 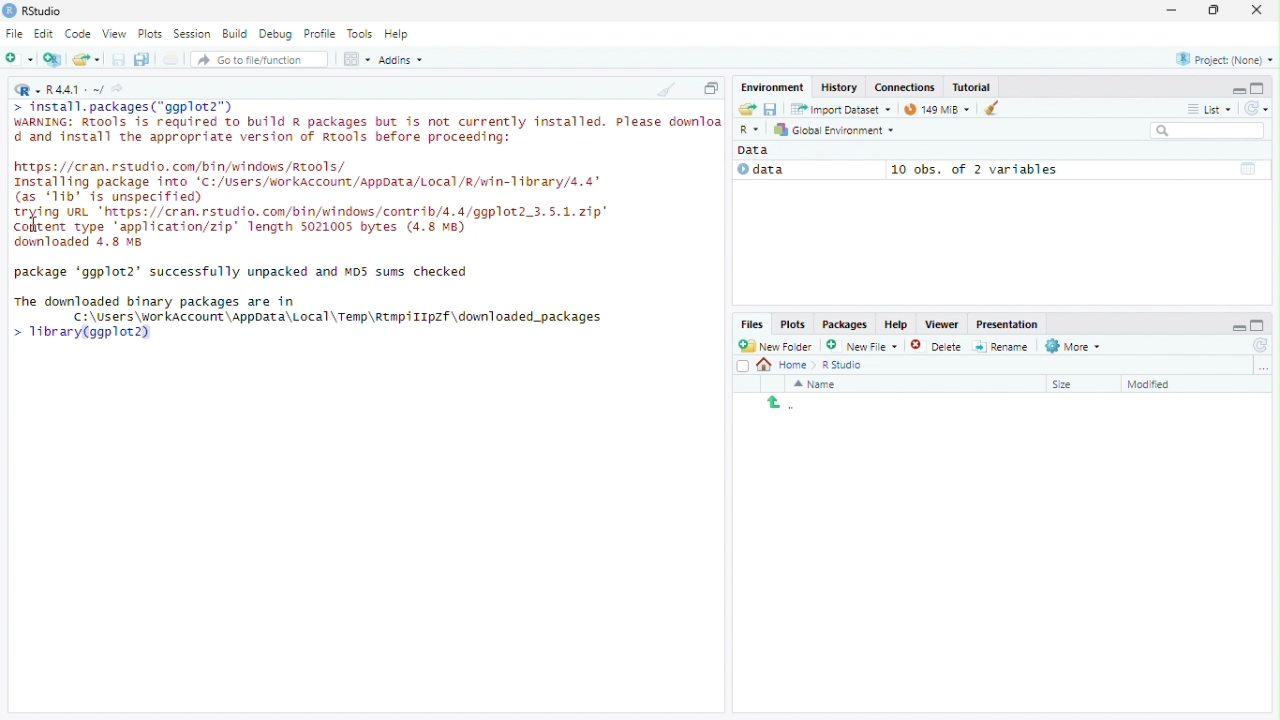 What do you see at coordinates (845, 324) in the screenshot?
I see `Packages` at bounding box center [845, 324].